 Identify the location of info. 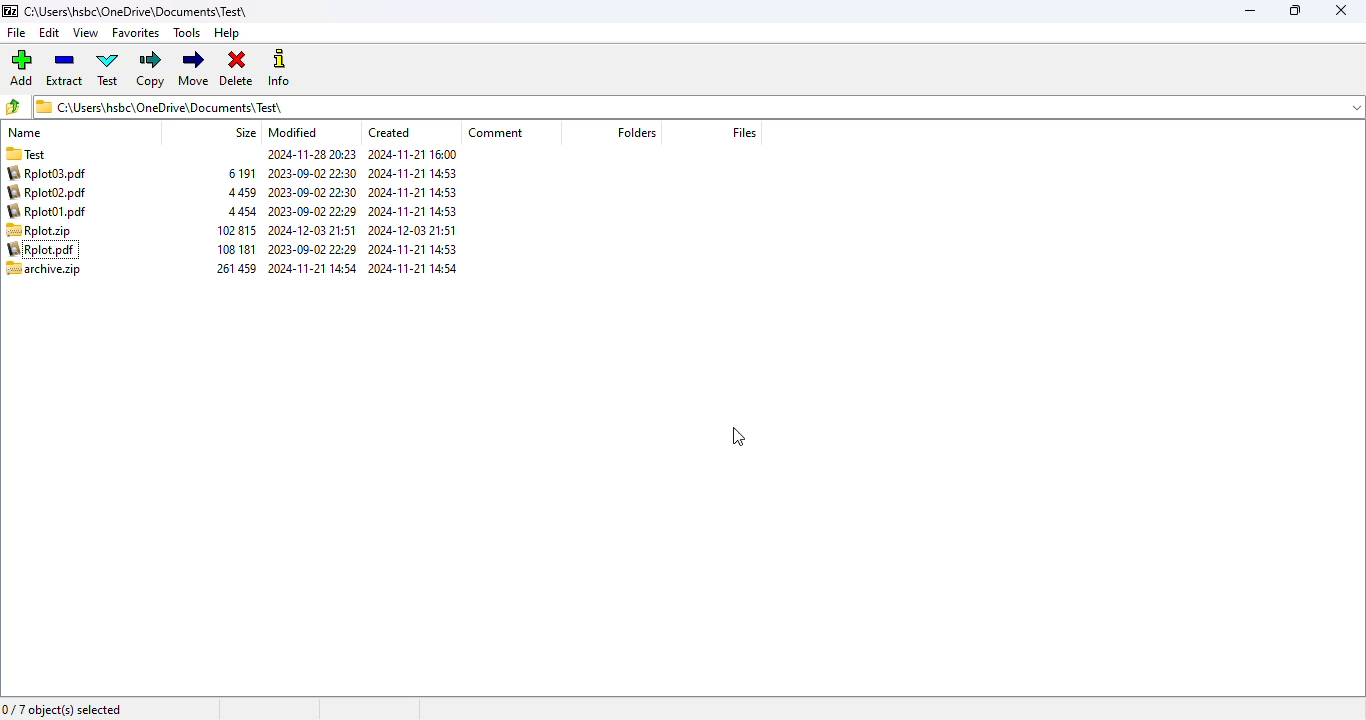
(279, 68).